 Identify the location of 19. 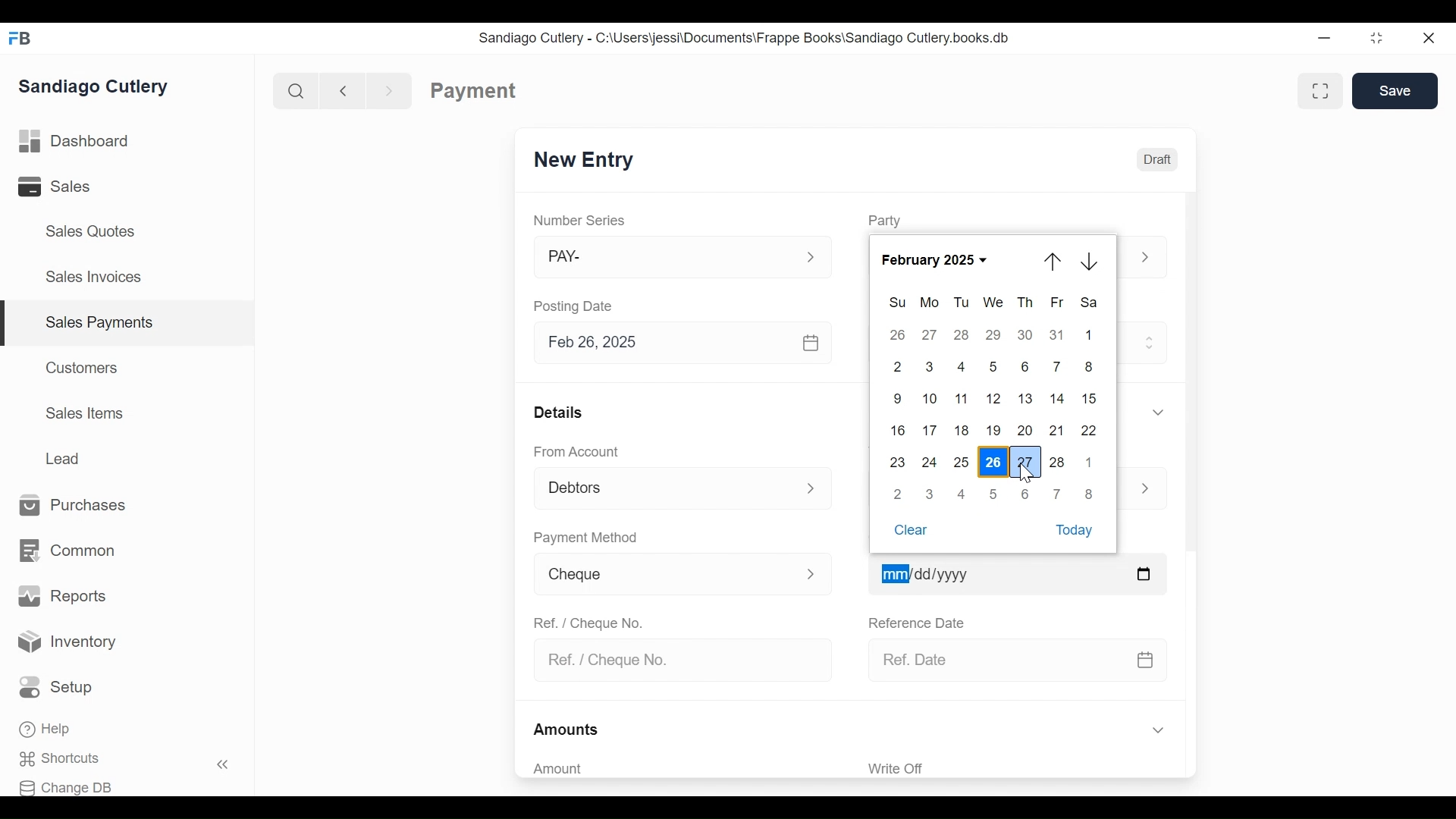
(995, 431).